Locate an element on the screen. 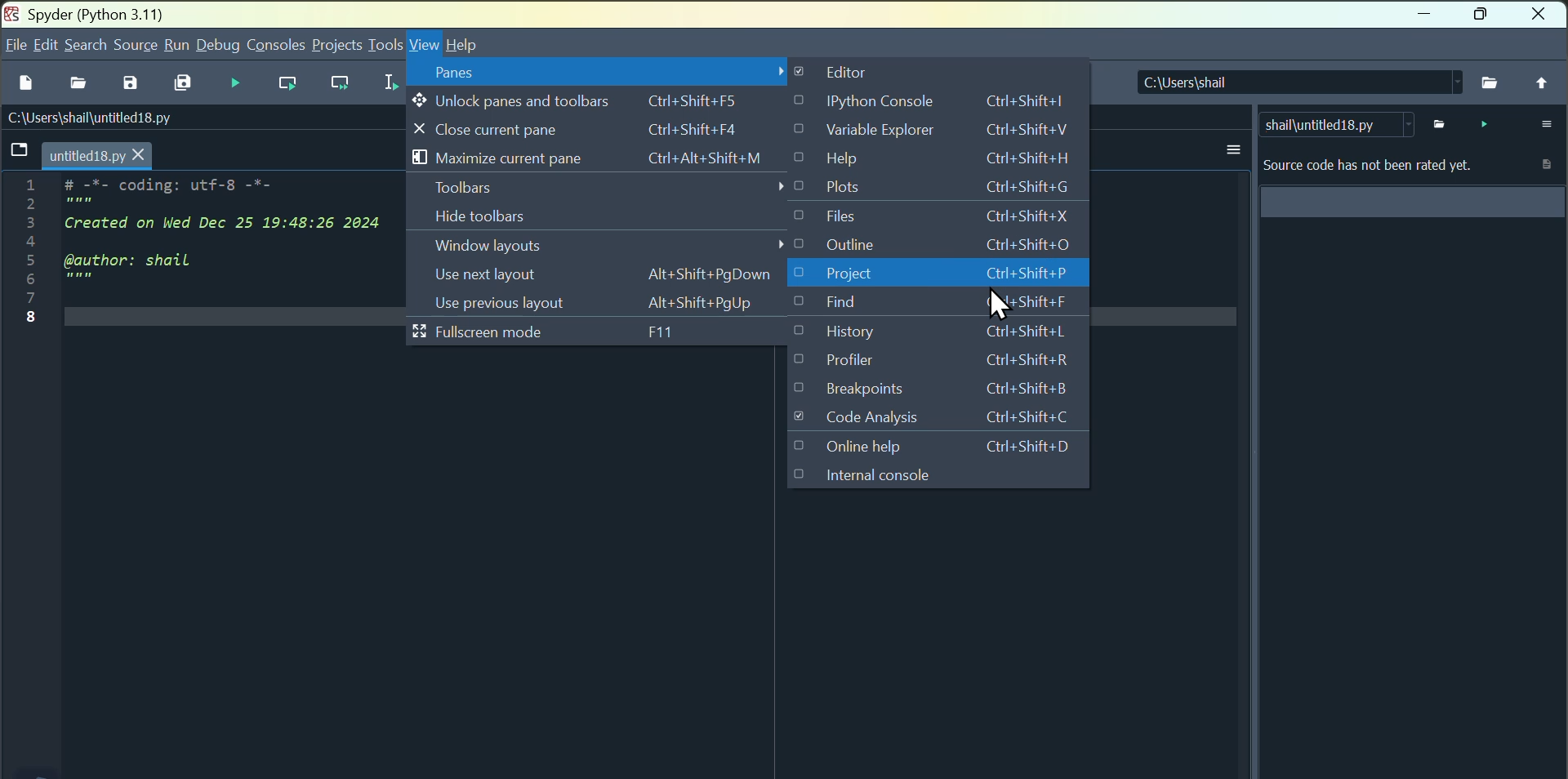 The width and height of the screenshot is (1568, 779). select parent file is located at coordinates (1542, 82).